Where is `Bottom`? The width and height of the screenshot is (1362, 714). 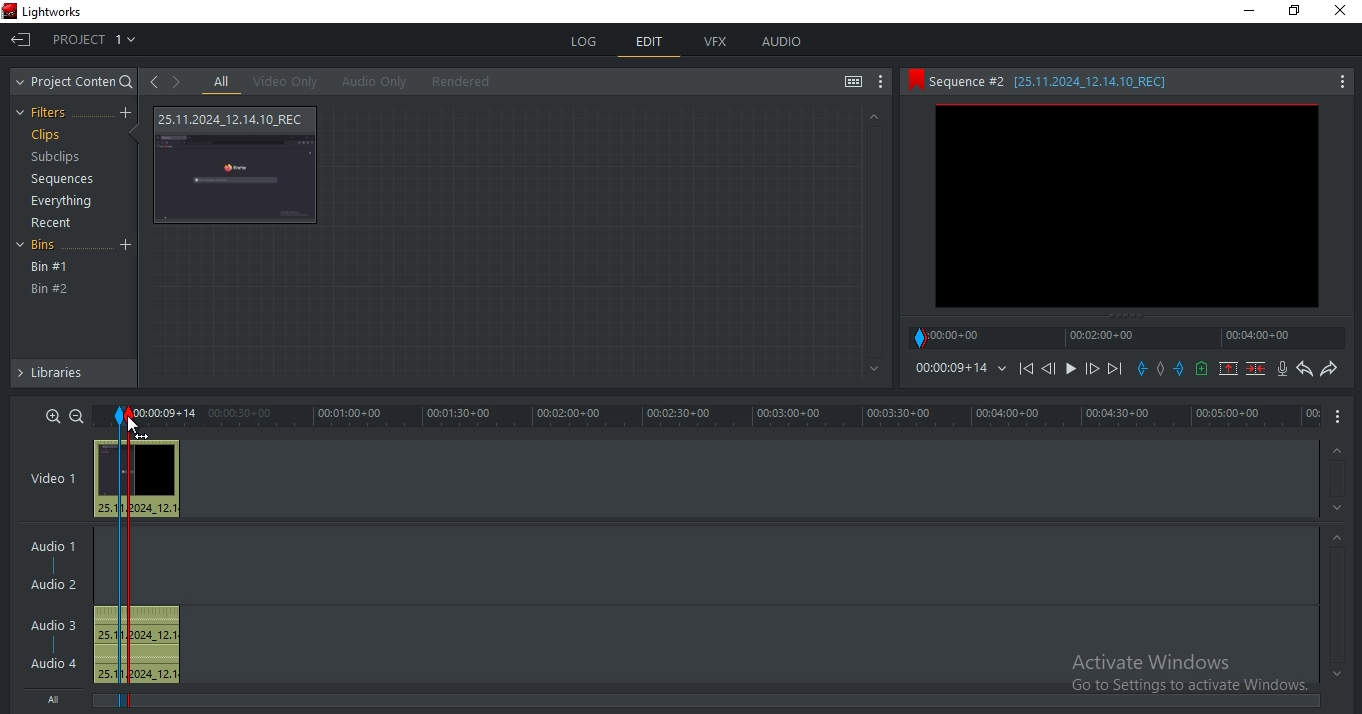 Bottom is located at coordinates (1334, 674).